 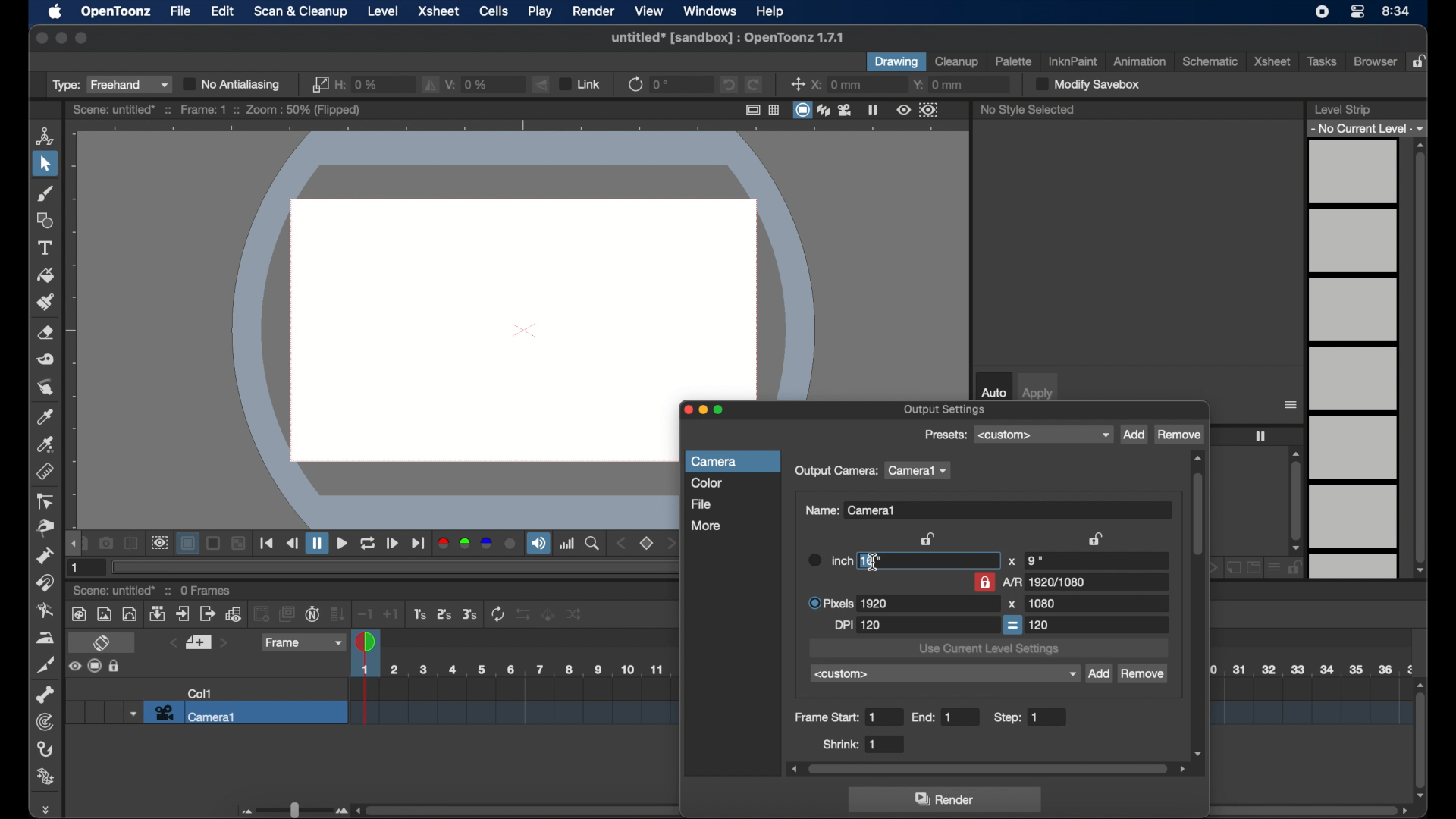 What do you see at coordinates (1014, 61) in the screenshot?
I see `palette` at bounding box center [1014, 61].